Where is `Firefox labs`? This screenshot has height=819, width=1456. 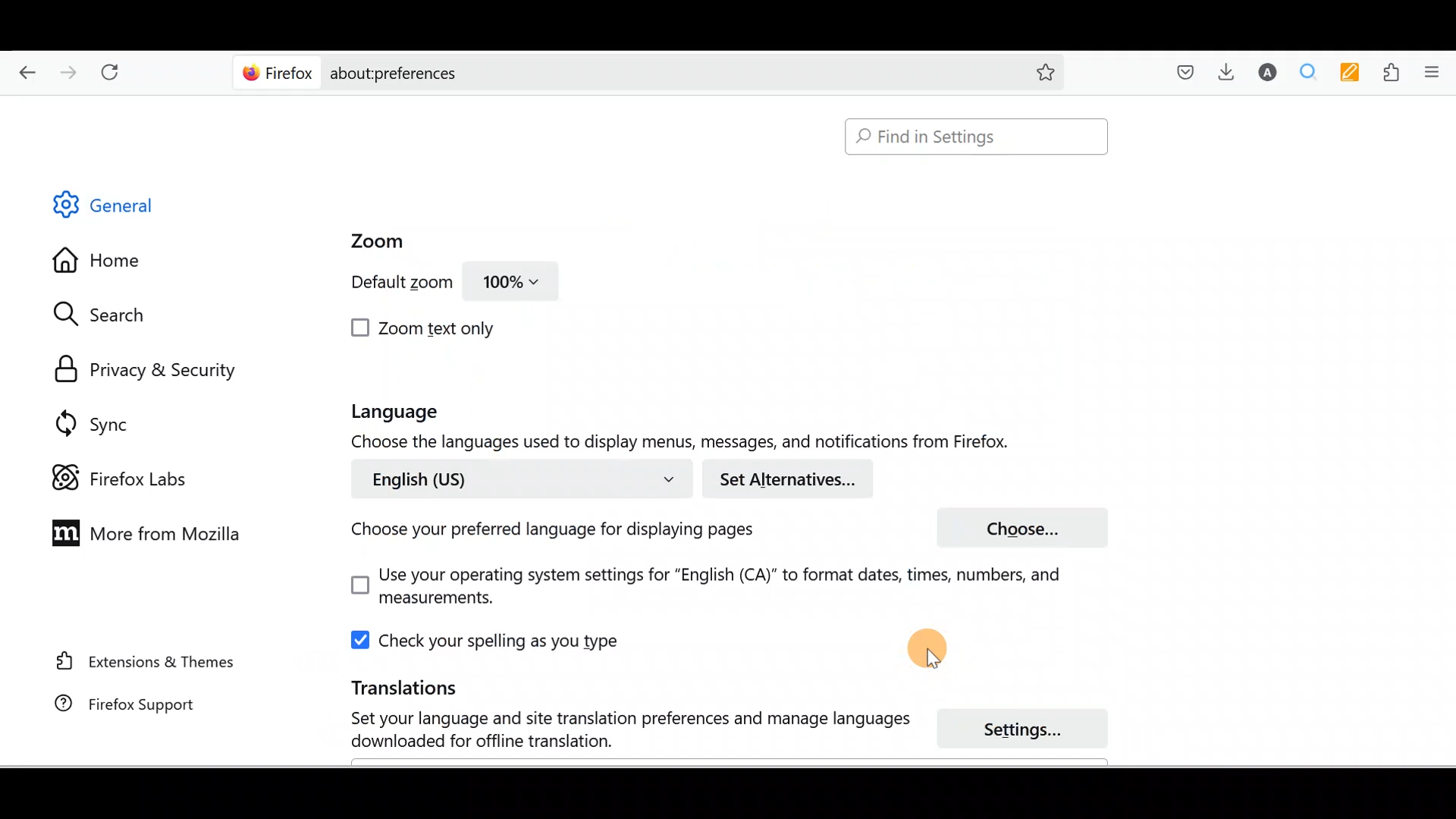
Firefox labs is located at coordinates (124, 479).